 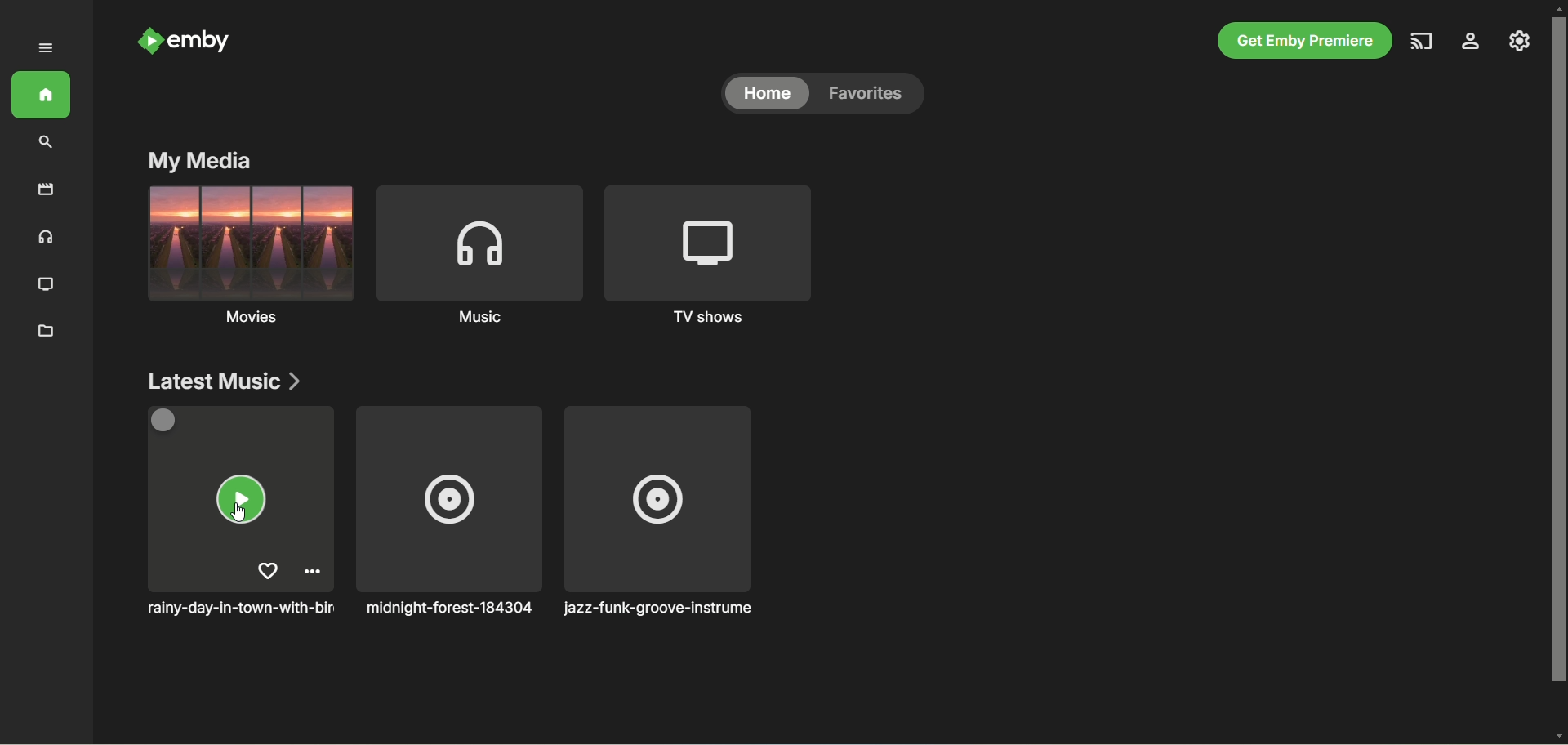 What do you see at coordinates (1558, 372) in the screenshot?
I see `vertical scroll bar` at bounding box center [1558, 372].